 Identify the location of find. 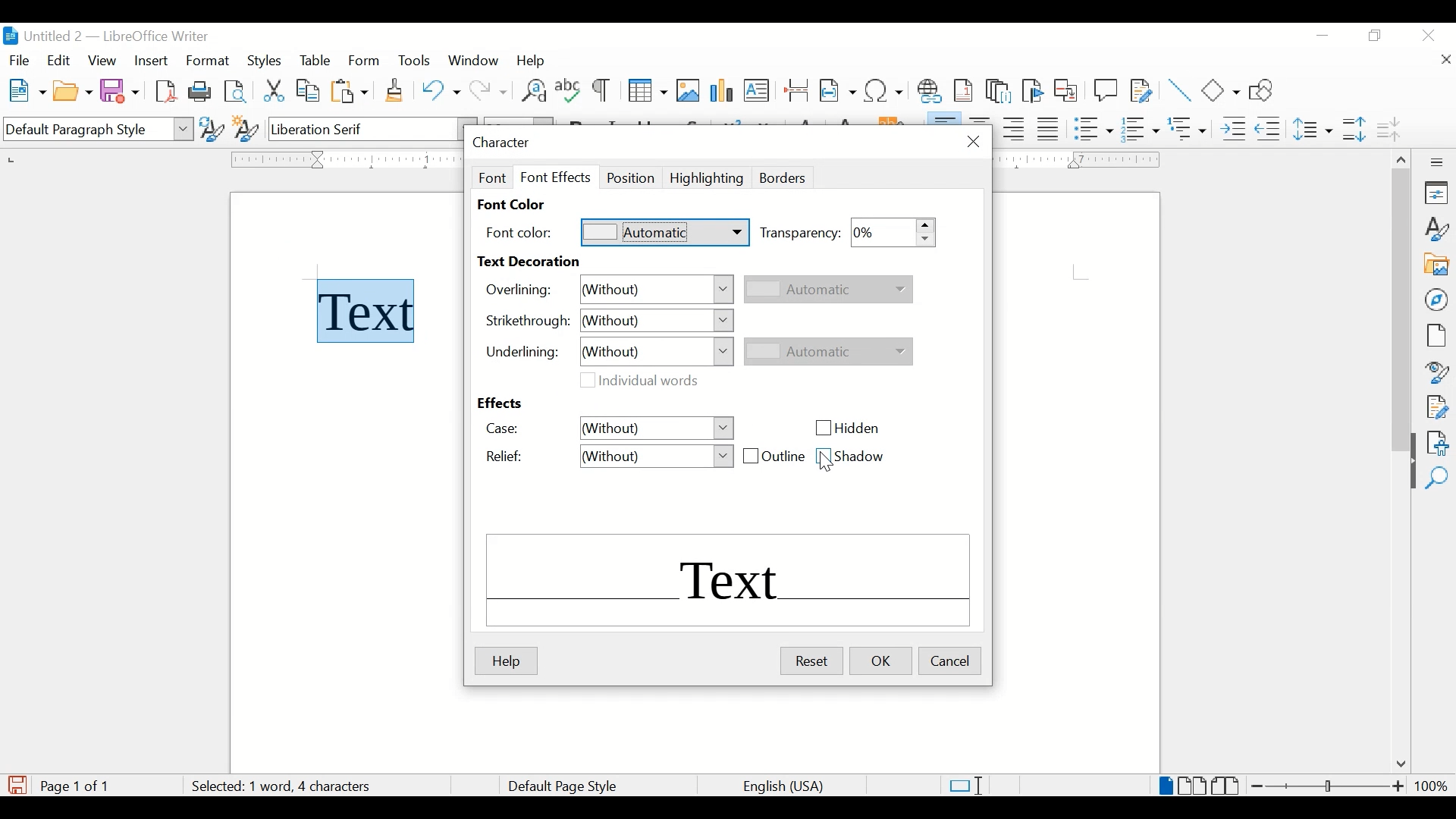
(1437, 479).